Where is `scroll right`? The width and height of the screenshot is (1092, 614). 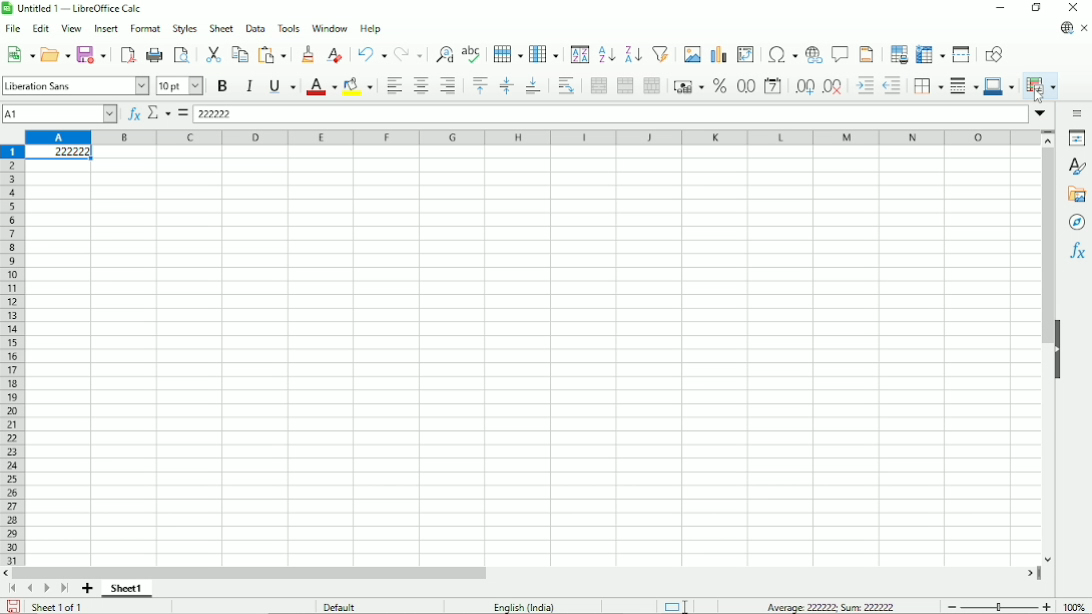 scroll right is located at coordinates (1031, 573).